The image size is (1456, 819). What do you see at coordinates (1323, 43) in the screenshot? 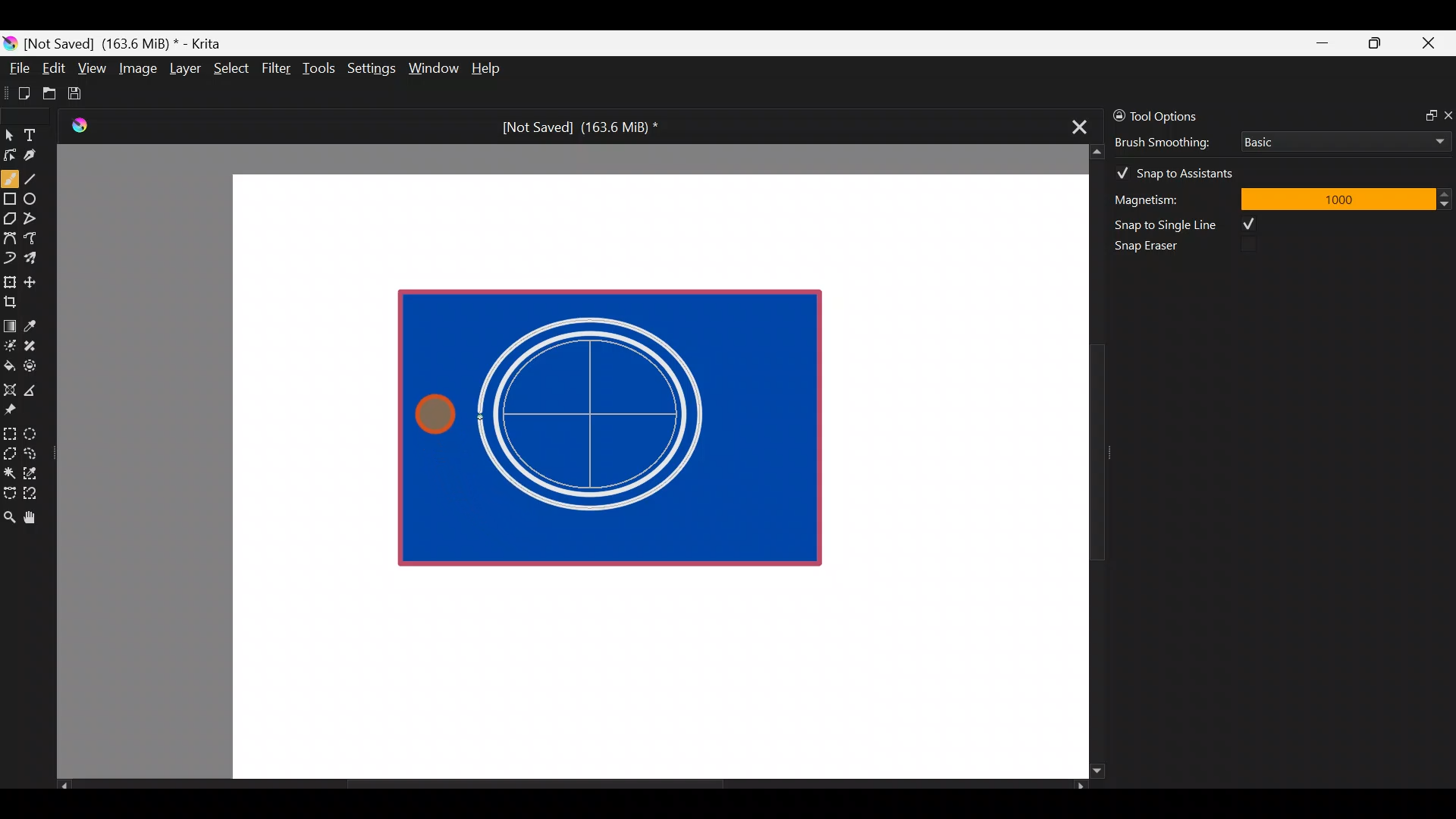
I see `Minimize` at bounding box center [1323, 43].